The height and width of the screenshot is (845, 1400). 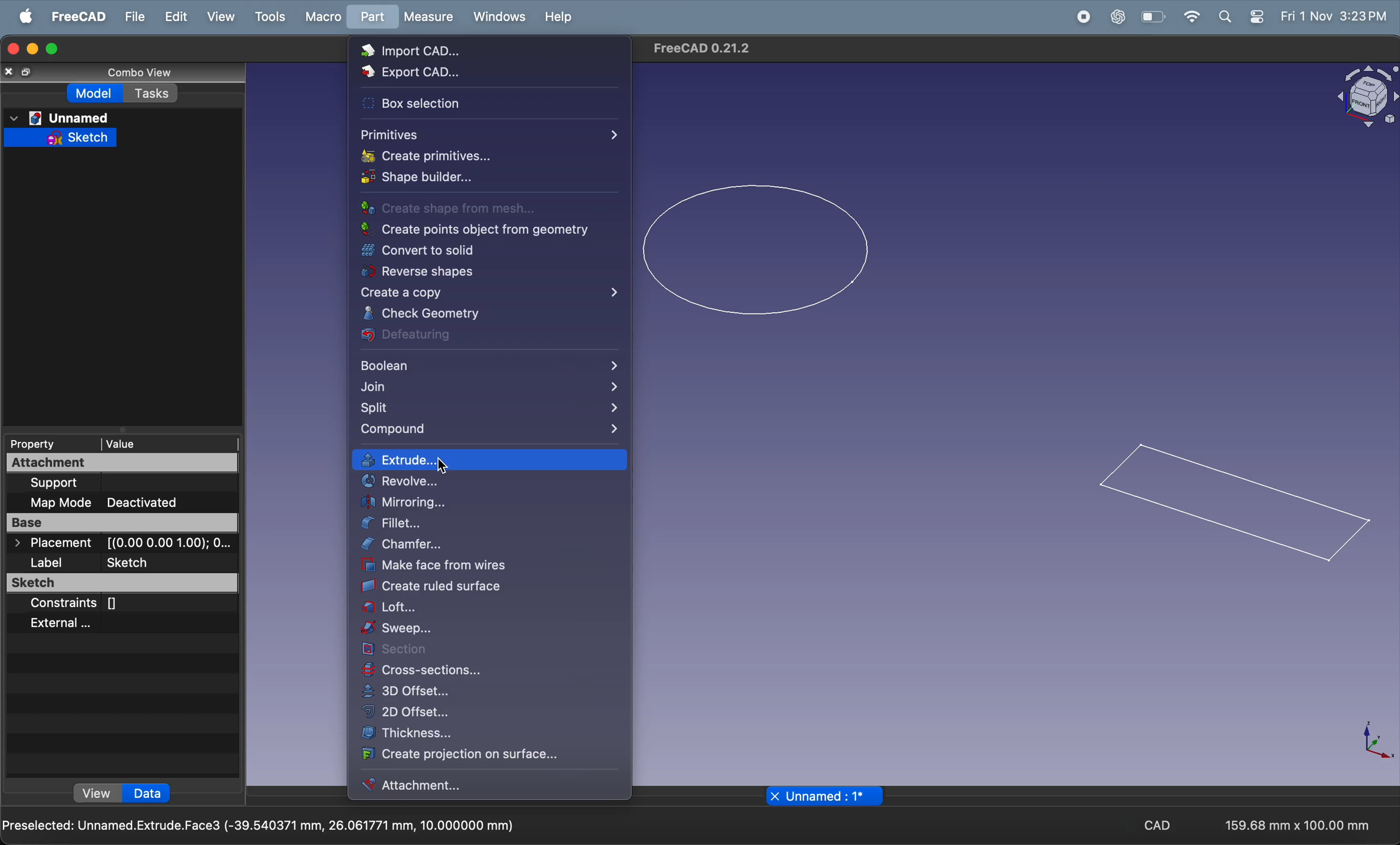 I want to click on Compound, so click(x=489, y=432).